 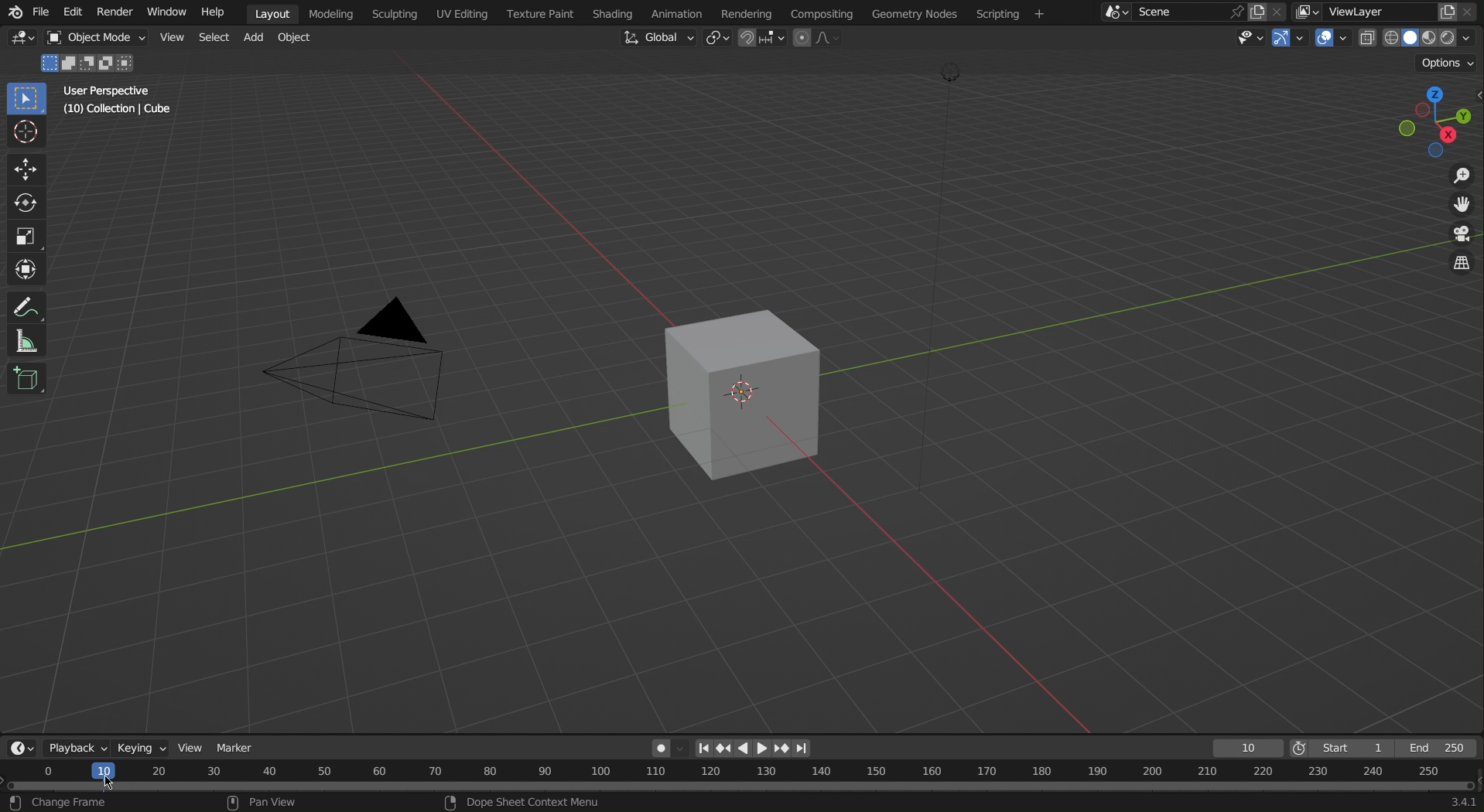 What do you see at coordinates (272, 12) in the screenshot?
I see `Layout` at bounding box center [272, 12].